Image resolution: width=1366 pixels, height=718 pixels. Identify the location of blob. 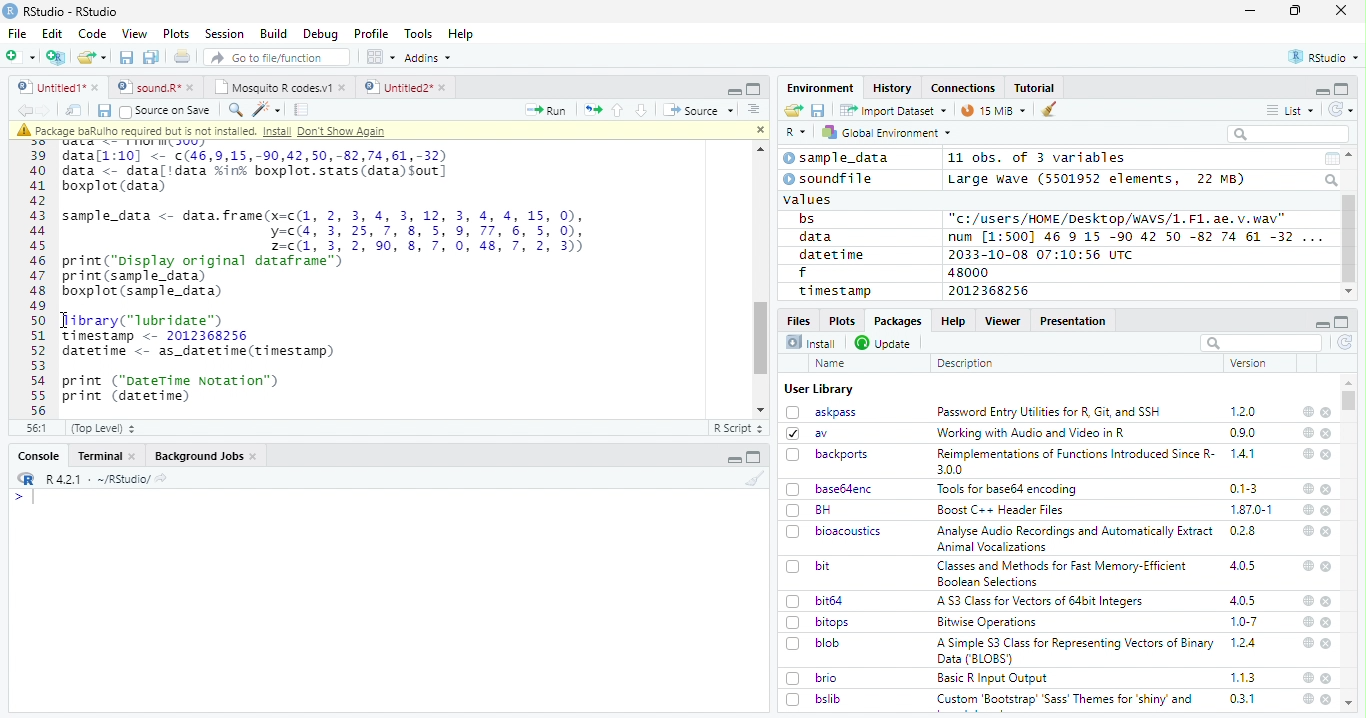
(813, 643).